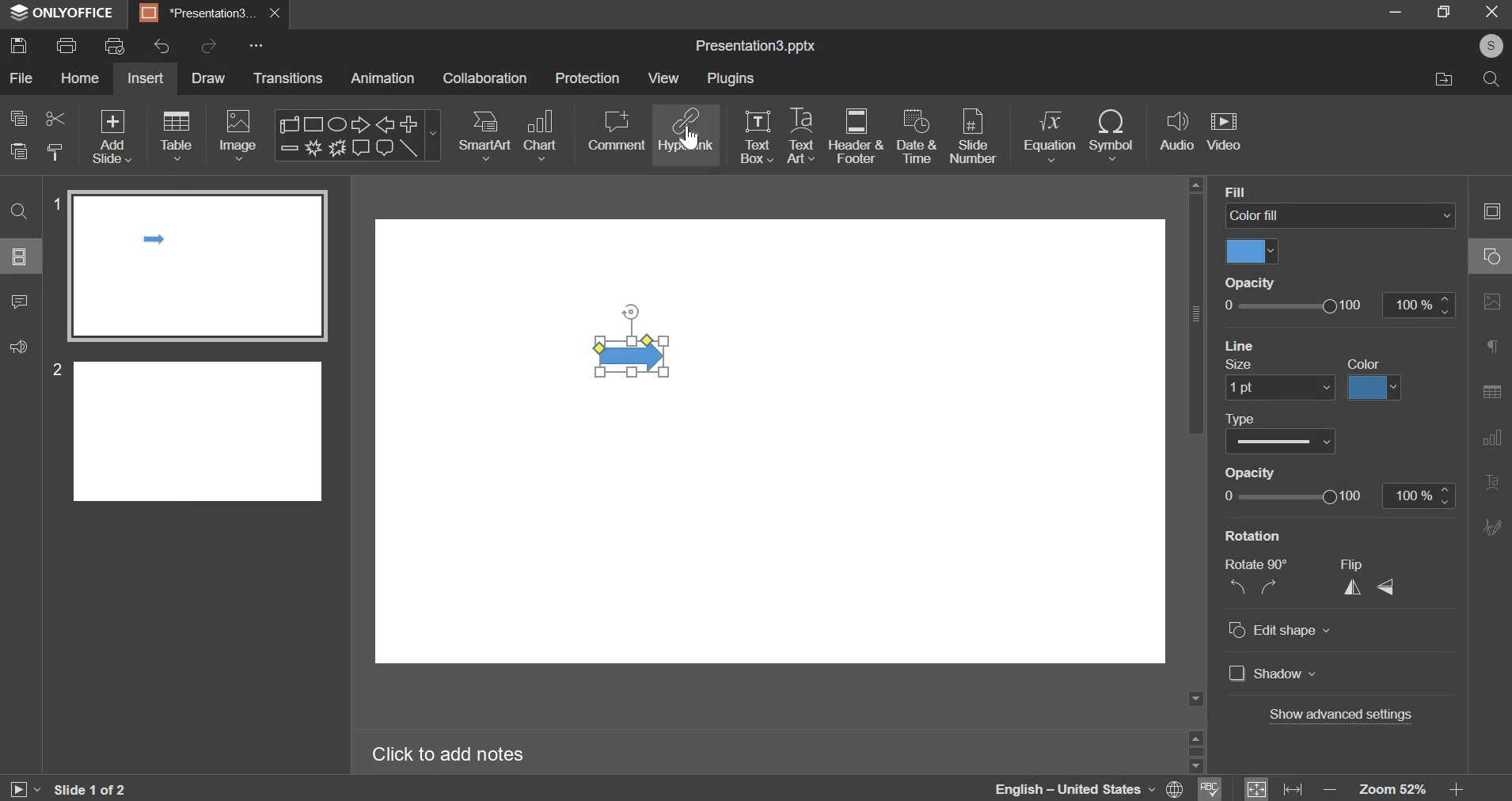 The height and width of the screenshot is (801, 1512). Describe the element at coordinates (1248, 473) in the screenshot. I see `opacity` at that location.